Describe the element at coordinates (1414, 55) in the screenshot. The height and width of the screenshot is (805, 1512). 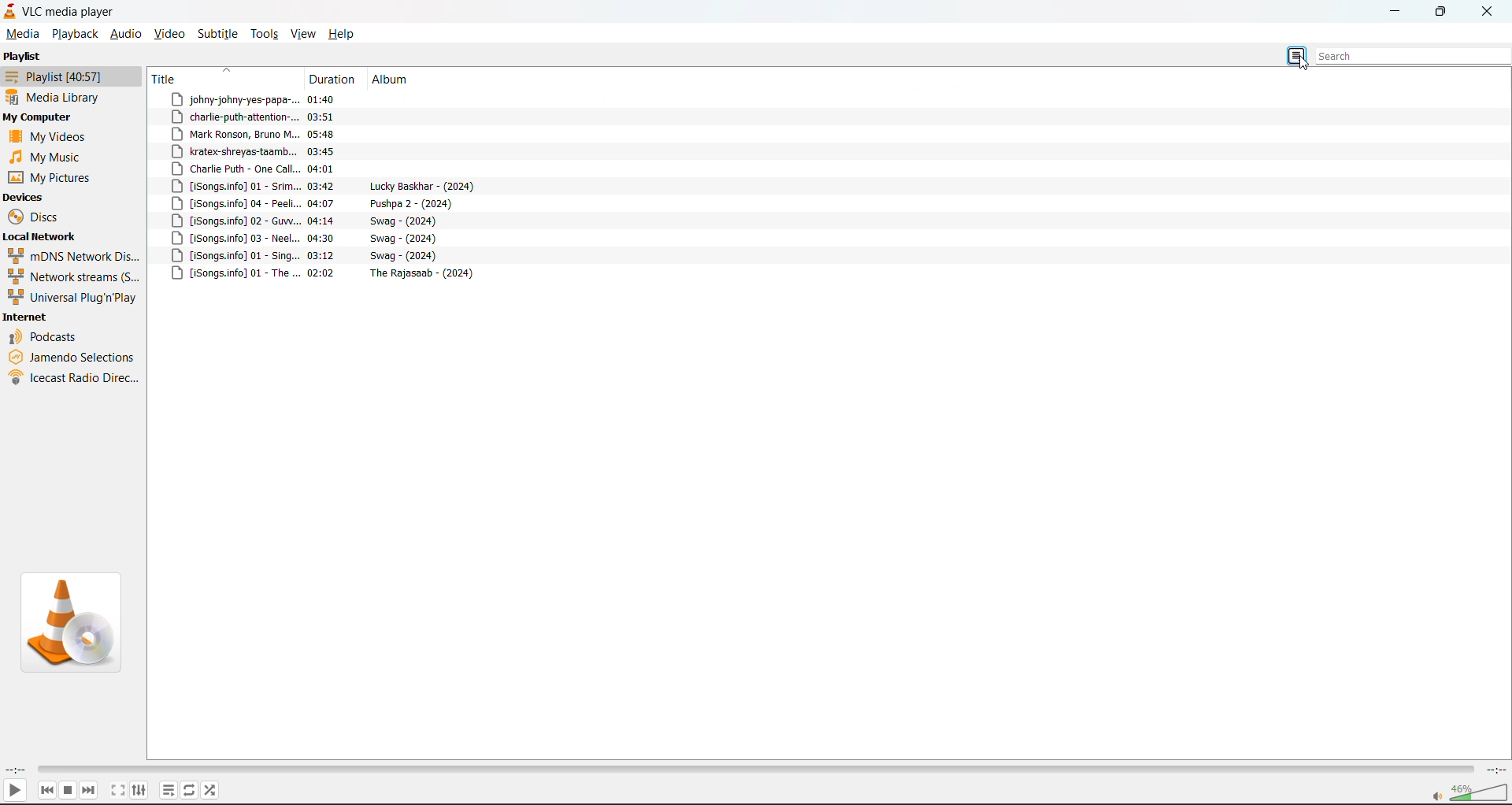
I see `search` at that location.